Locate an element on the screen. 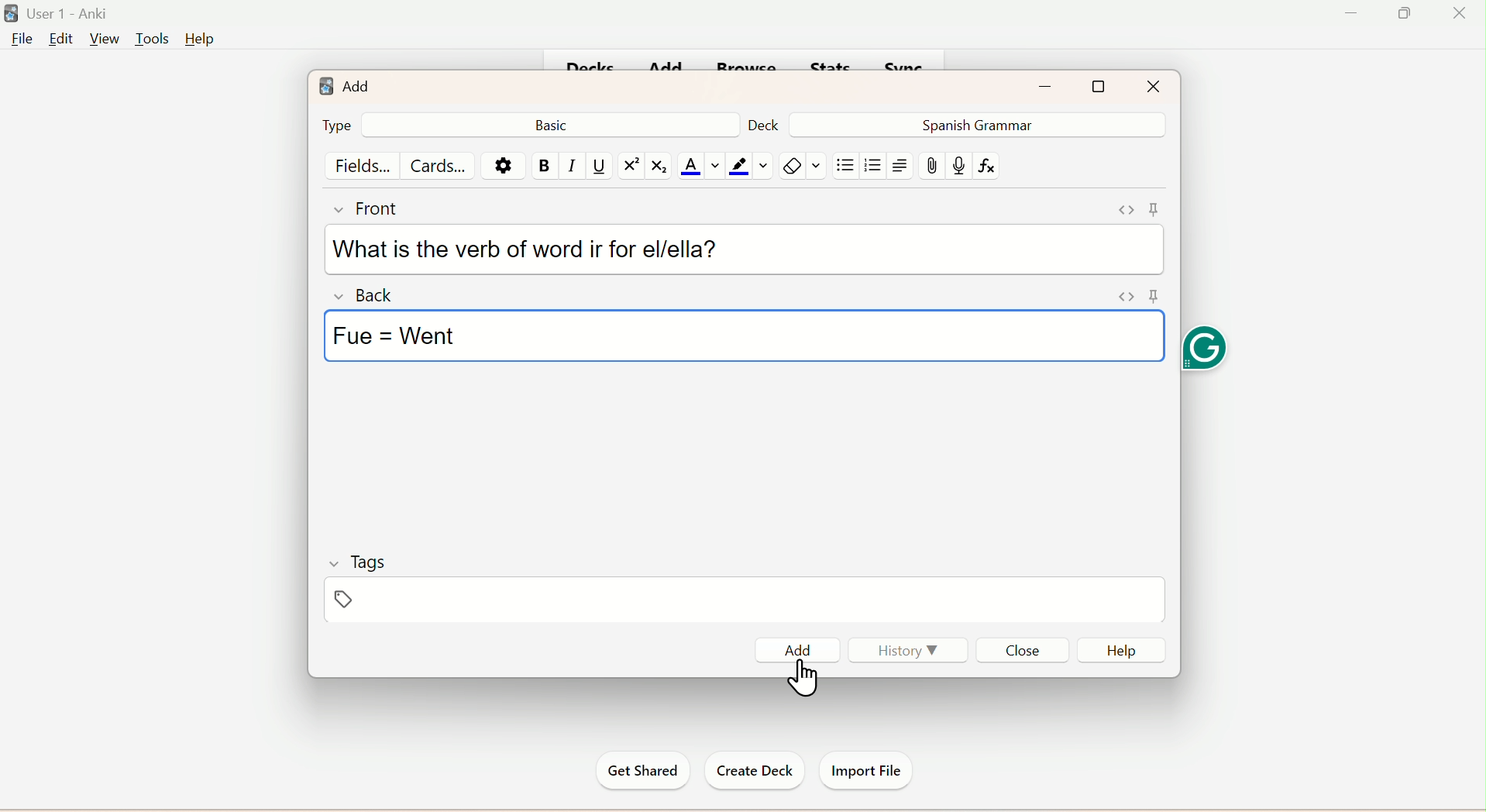  /organised List is located at coordinates (870, 167).